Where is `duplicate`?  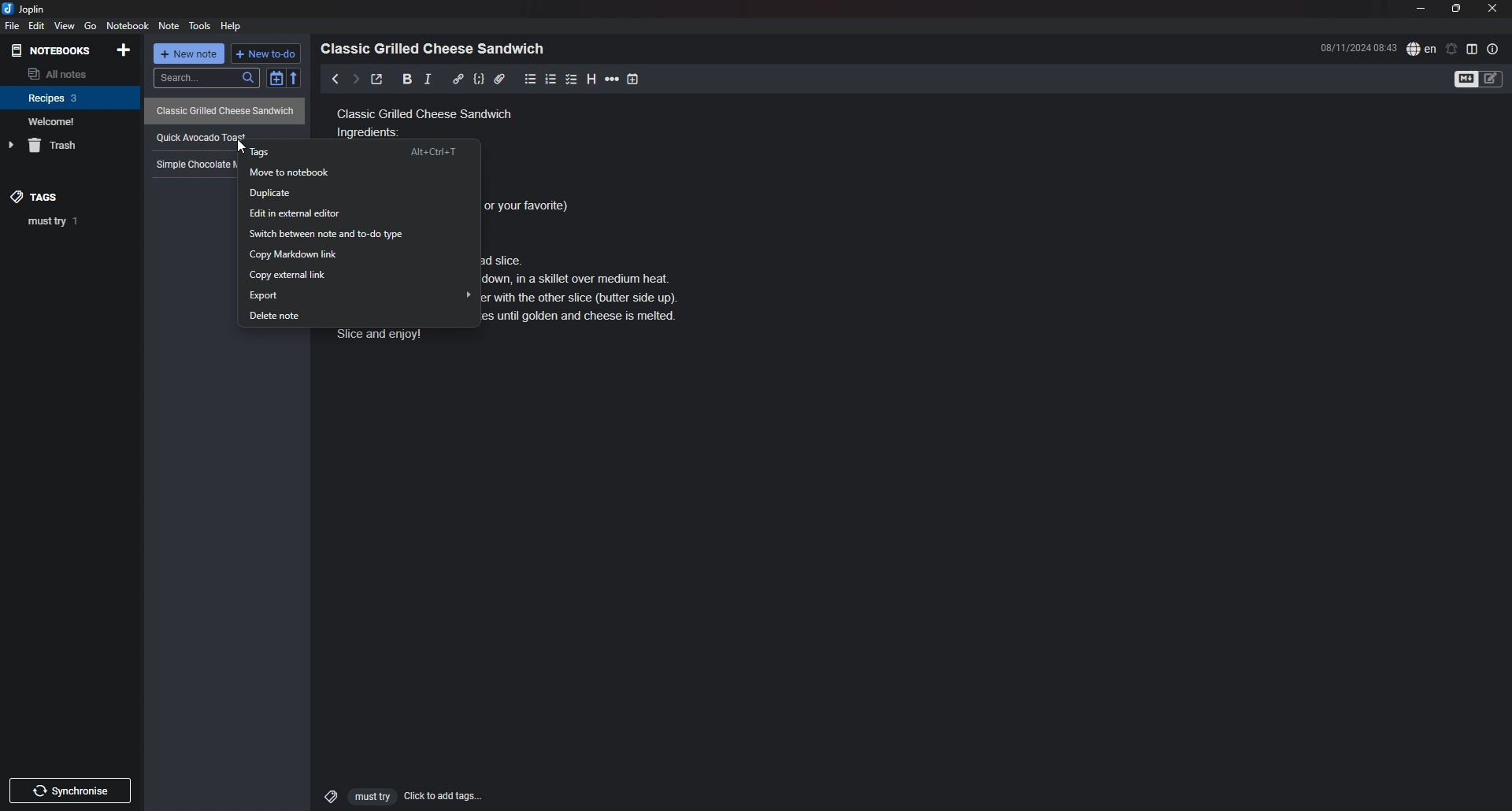
duplicate is located at coordinates (359, 194).